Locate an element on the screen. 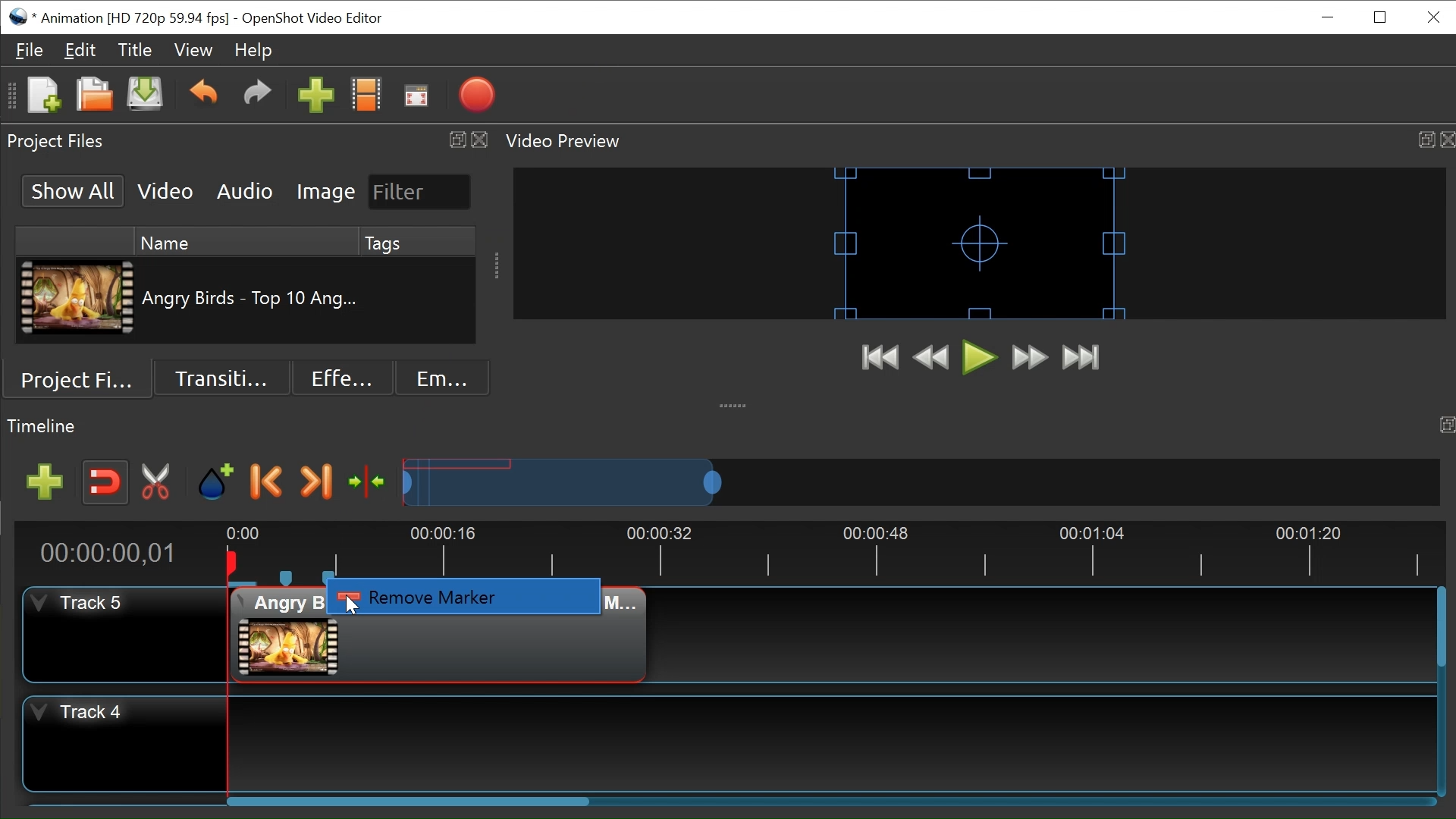 The height and width of the screenshot is (819, 1456). View is located at coordinates (193, 51).